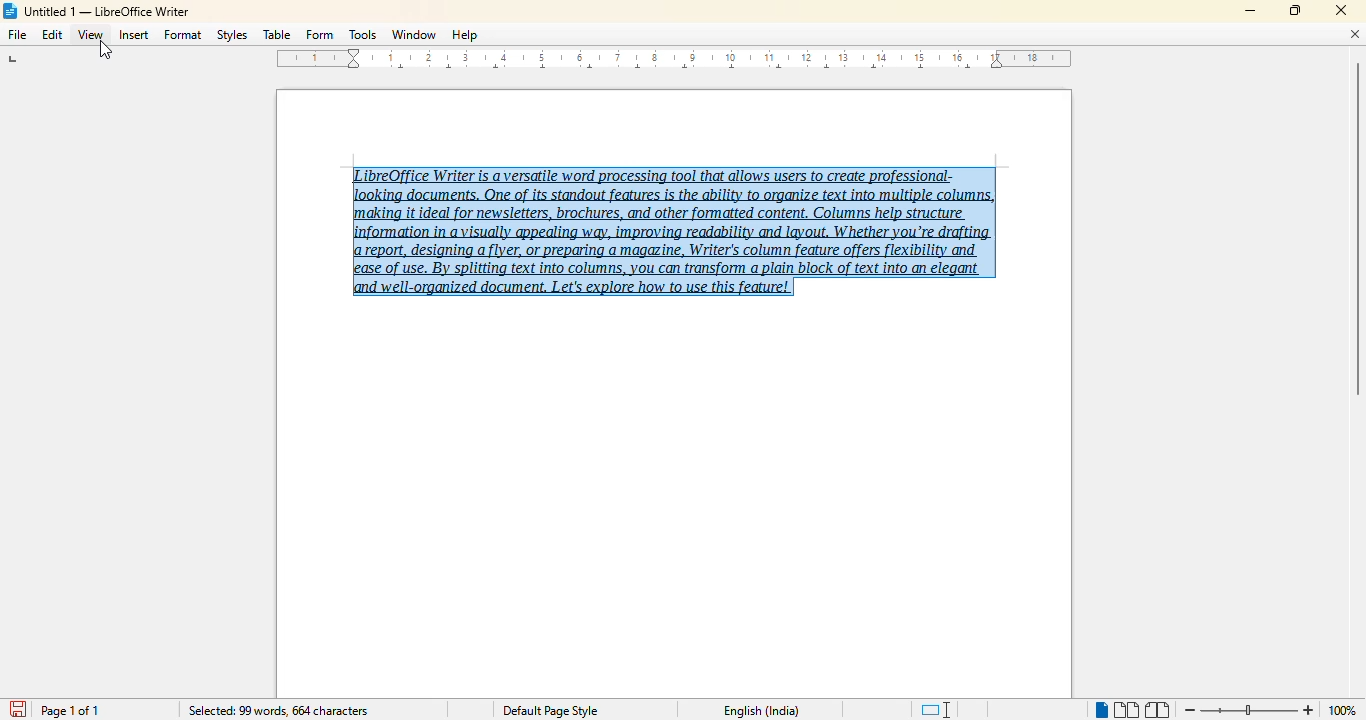  What do you see at coordinates (183, 34) in the screenshot?
I see `format` at bounding box center [183, 34].